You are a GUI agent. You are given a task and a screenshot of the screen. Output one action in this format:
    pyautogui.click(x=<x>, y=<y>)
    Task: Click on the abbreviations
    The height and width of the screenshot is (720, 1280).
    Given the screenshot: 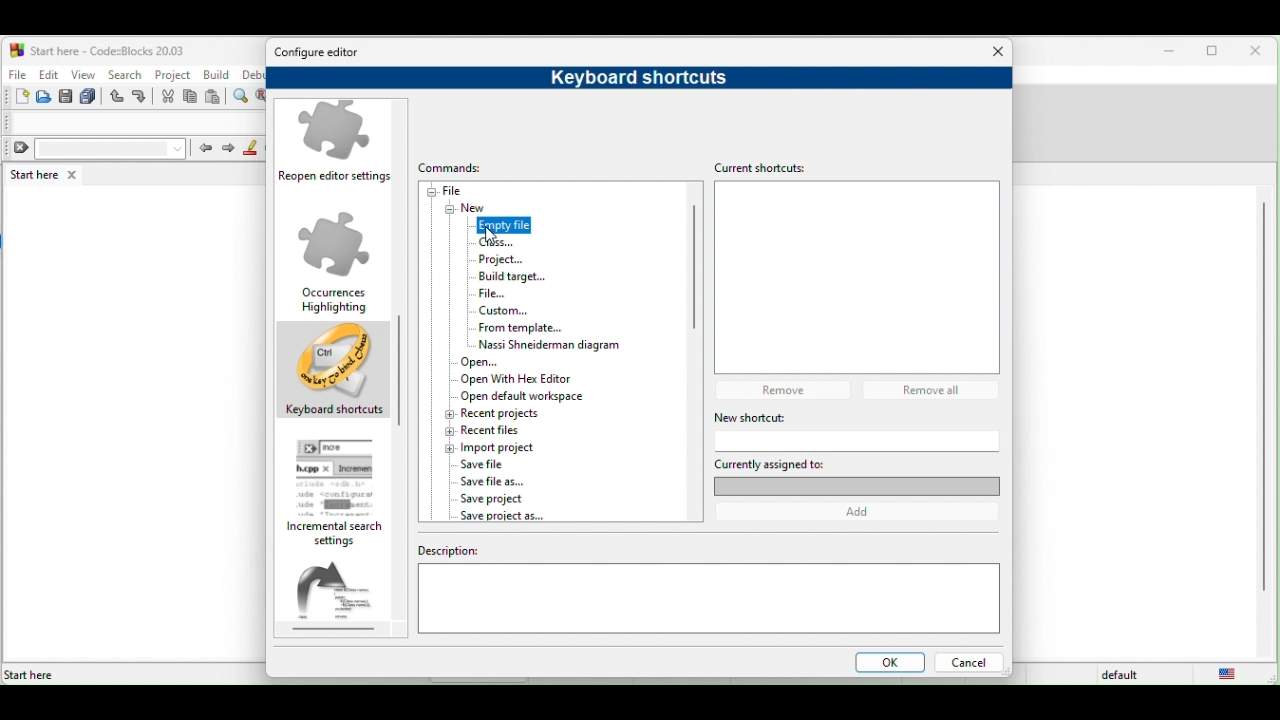 What is the action you would take?
    pyautogui.click(x=342, y=597)
    